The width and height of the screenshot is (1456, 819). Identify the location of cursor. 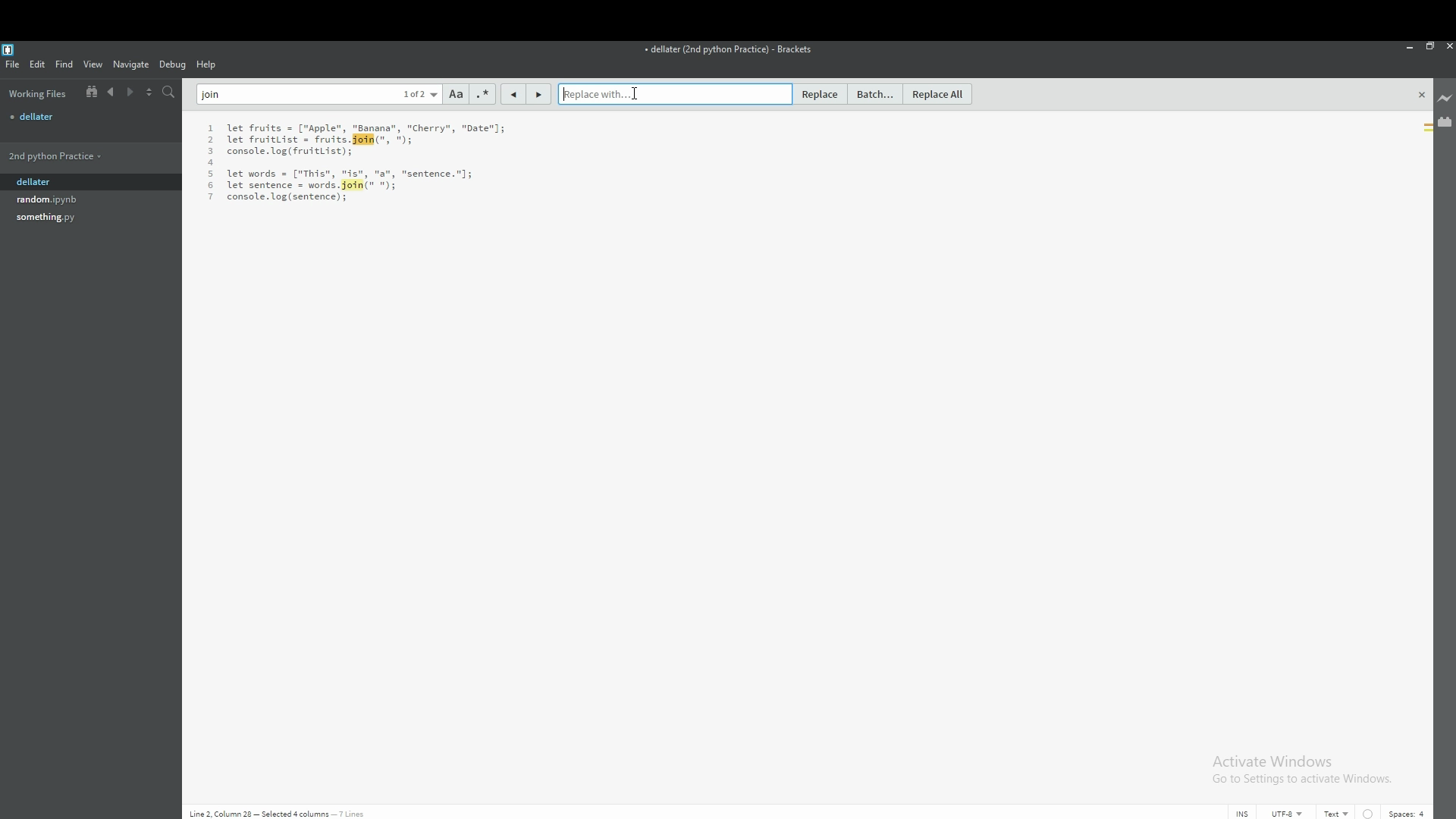
(636, 93).